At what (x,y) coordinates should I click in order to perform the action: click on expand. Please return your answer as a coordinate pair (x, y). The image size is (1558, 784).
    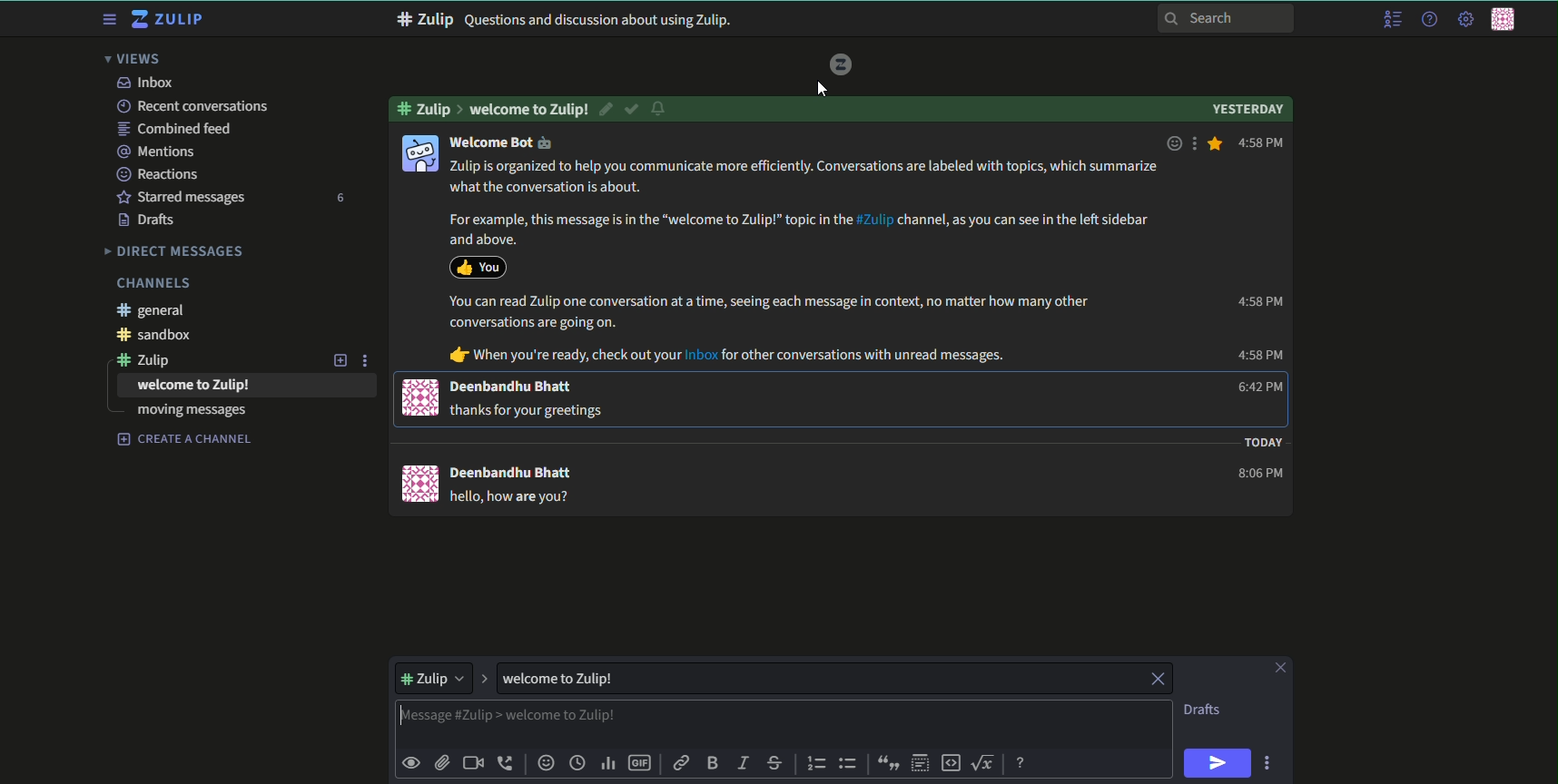
    Looking at the image, I should click on (485, 676).